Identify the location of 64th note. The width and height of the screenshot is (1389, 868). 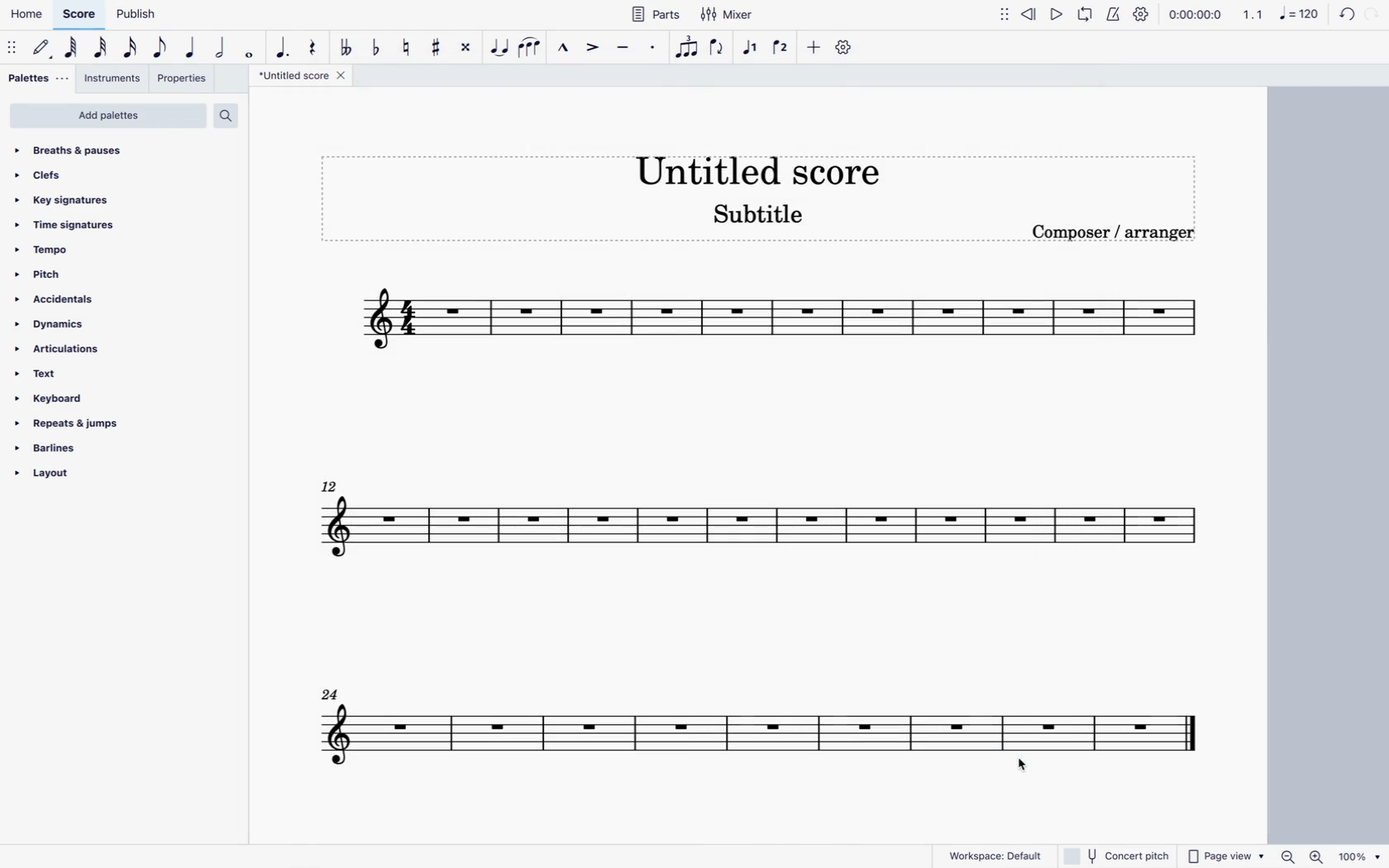
(71, 50).